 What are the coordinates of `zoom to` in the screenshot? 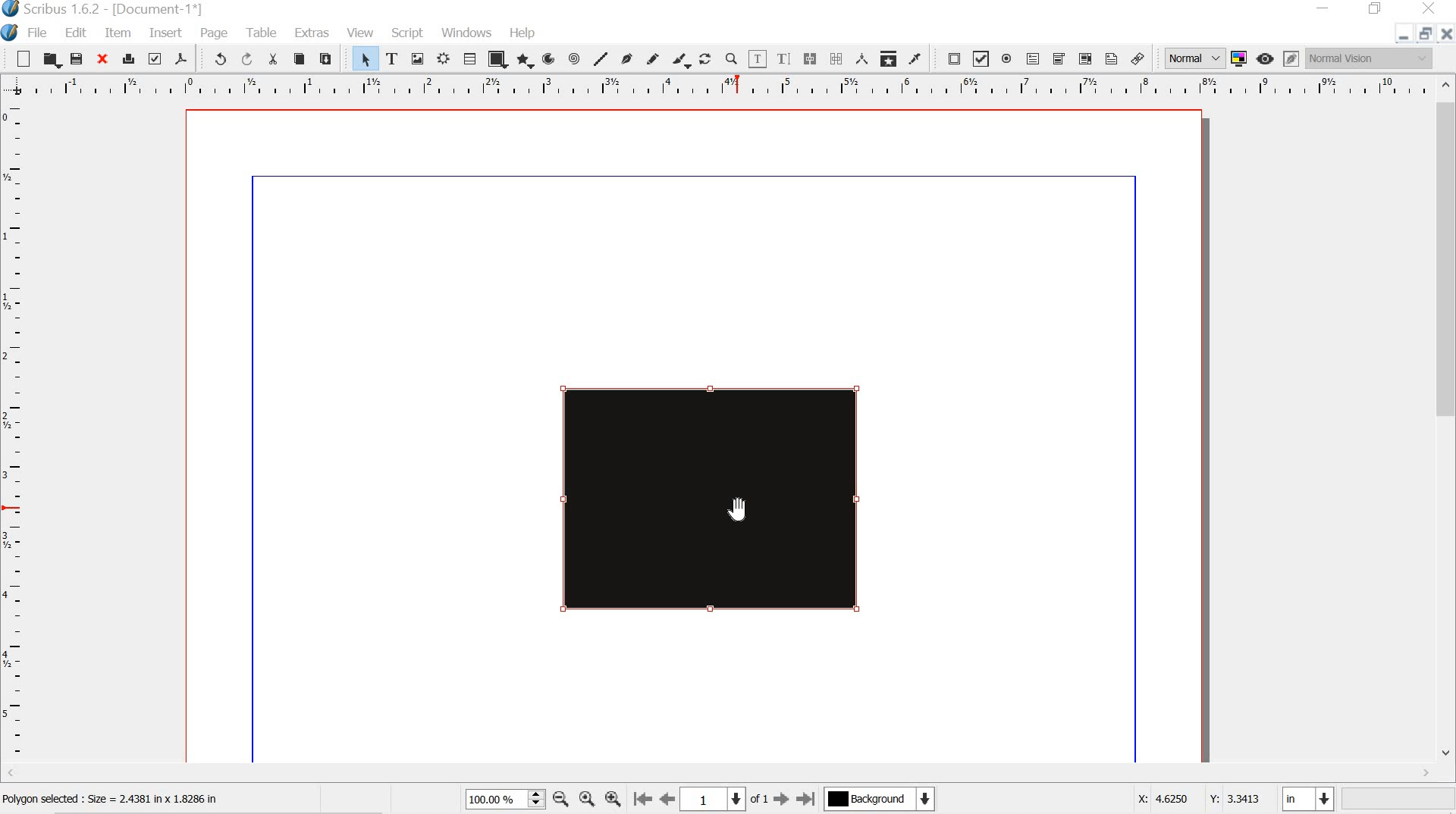 It's located at (585, 799).